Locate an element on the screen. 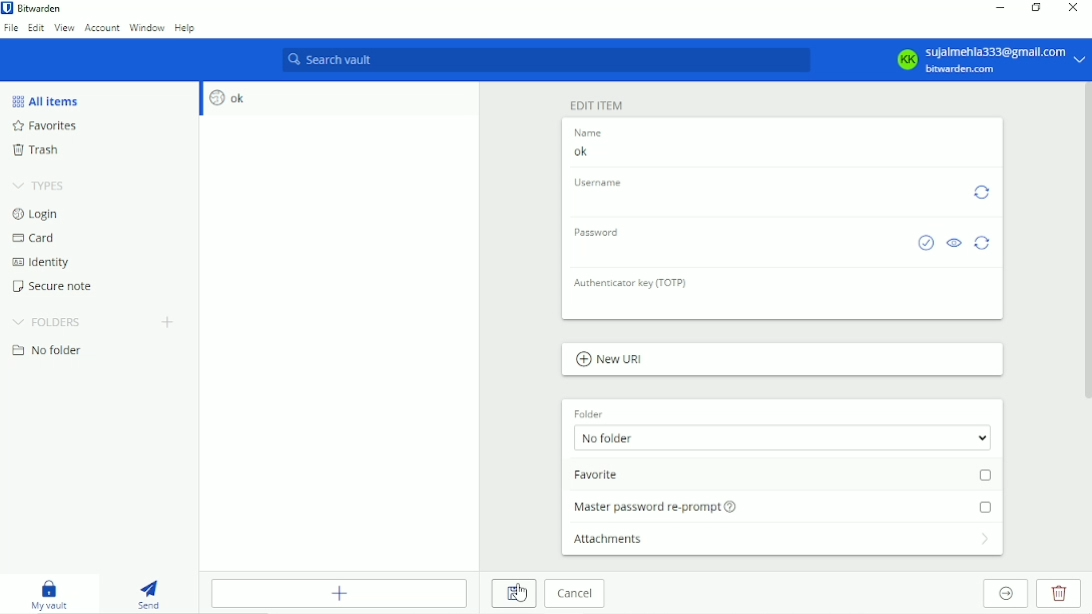 Image resolution: width=1092 pixels, height=614 pixels. Window is located at coordinates (147, 28).